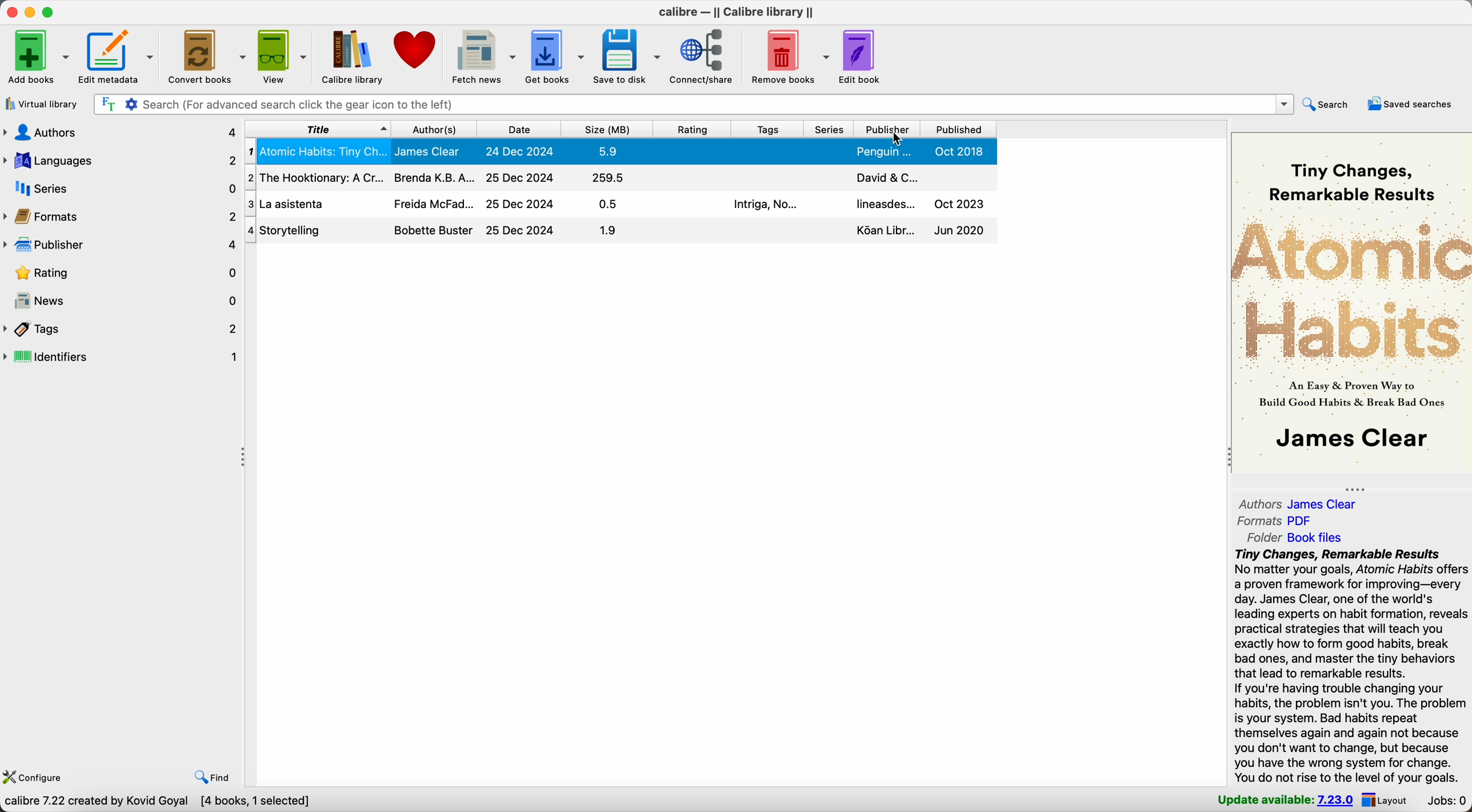 The height and width of the screenshot is (812, 1472). What do you see at coordinates (627, 55) in the screenshot?
I see `save to disk` at bounding box center [627, 55].